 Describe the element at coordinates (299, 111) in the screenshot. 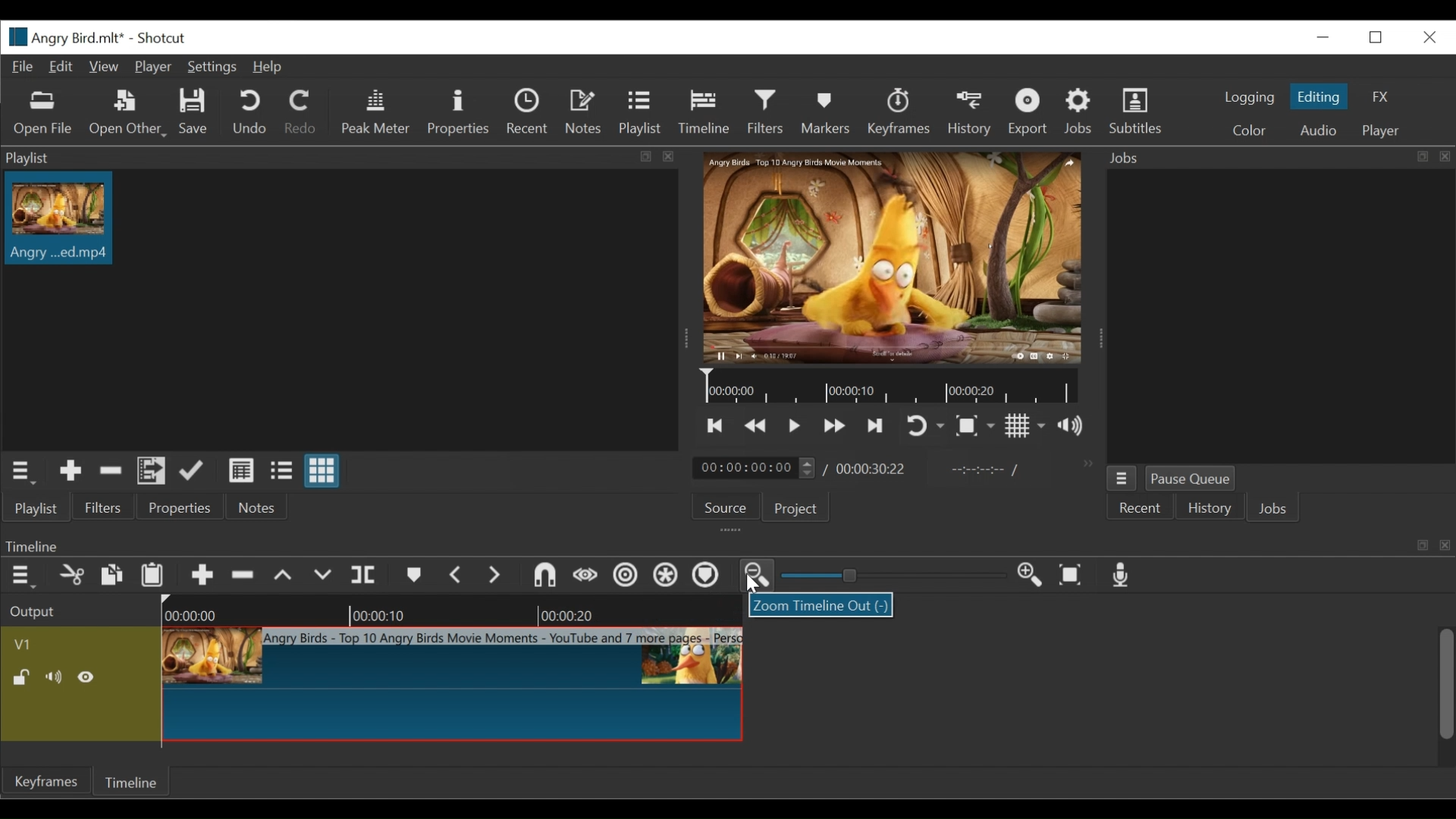

I see `Redo` at that location.